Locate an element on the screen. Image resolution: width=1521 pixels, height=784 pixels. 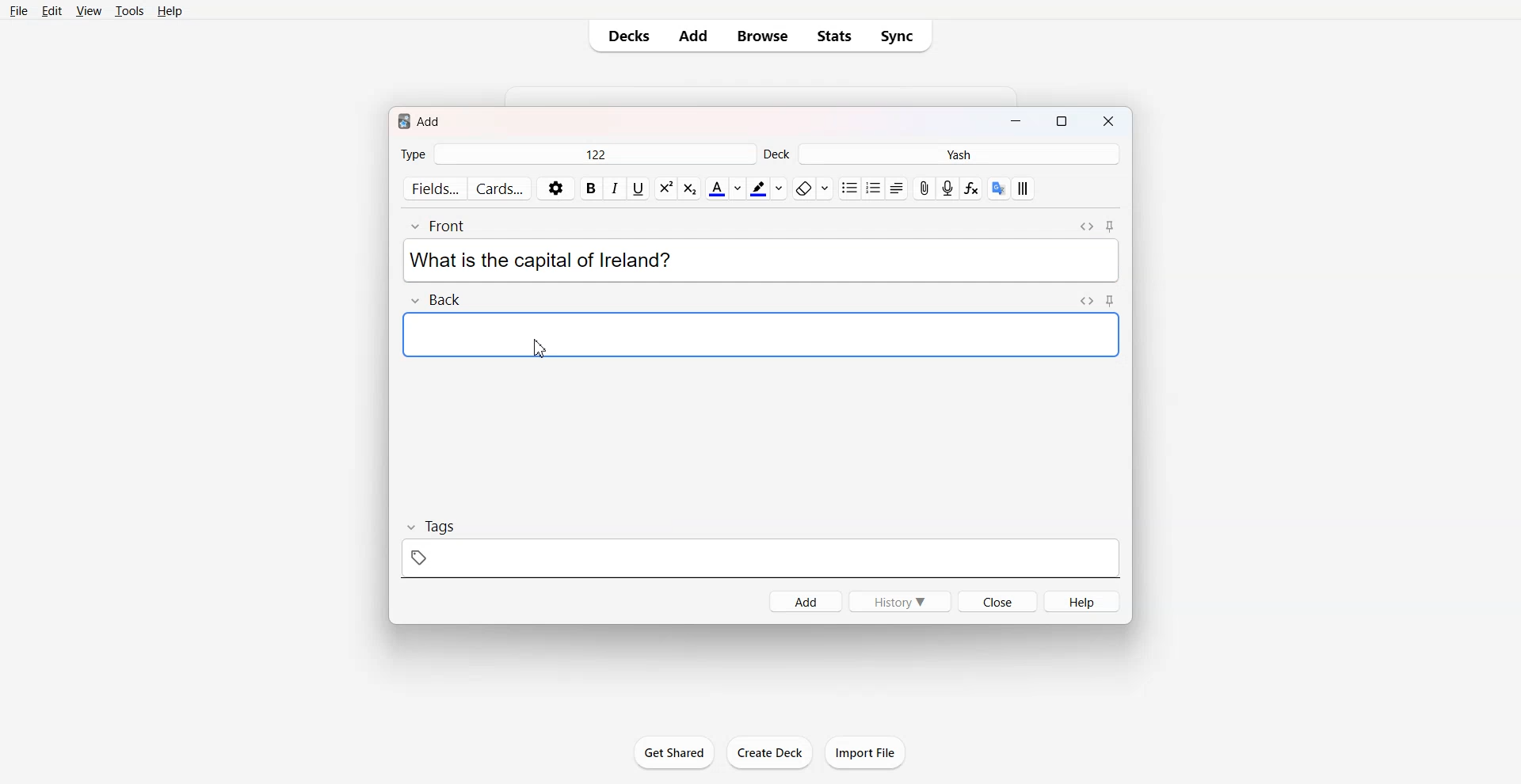
Tools is located at coordinates (129, 12).